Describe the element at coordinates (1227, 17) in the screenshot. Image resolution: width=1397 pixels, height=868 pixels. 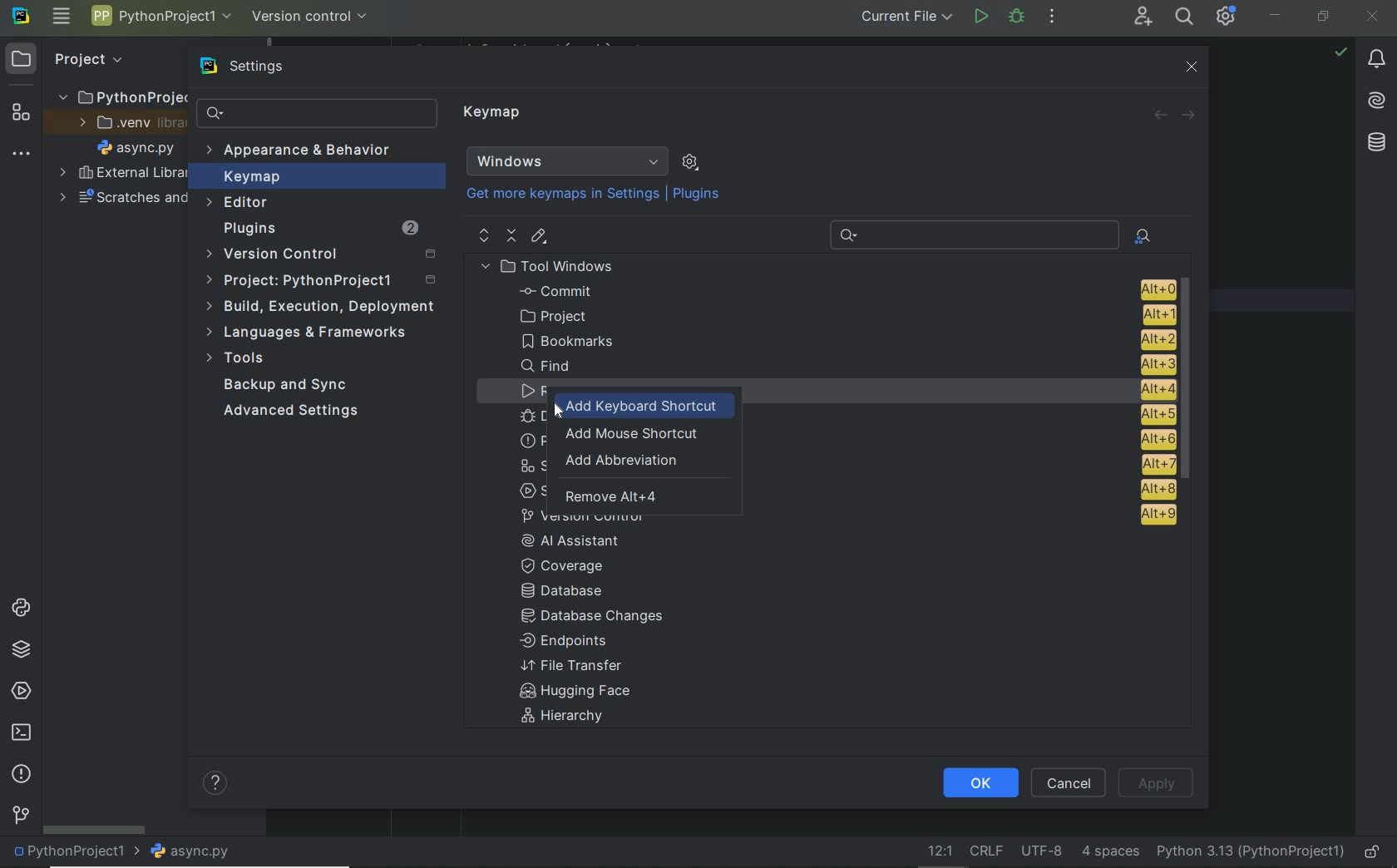
I see `IDE and Project Settings` at that location.